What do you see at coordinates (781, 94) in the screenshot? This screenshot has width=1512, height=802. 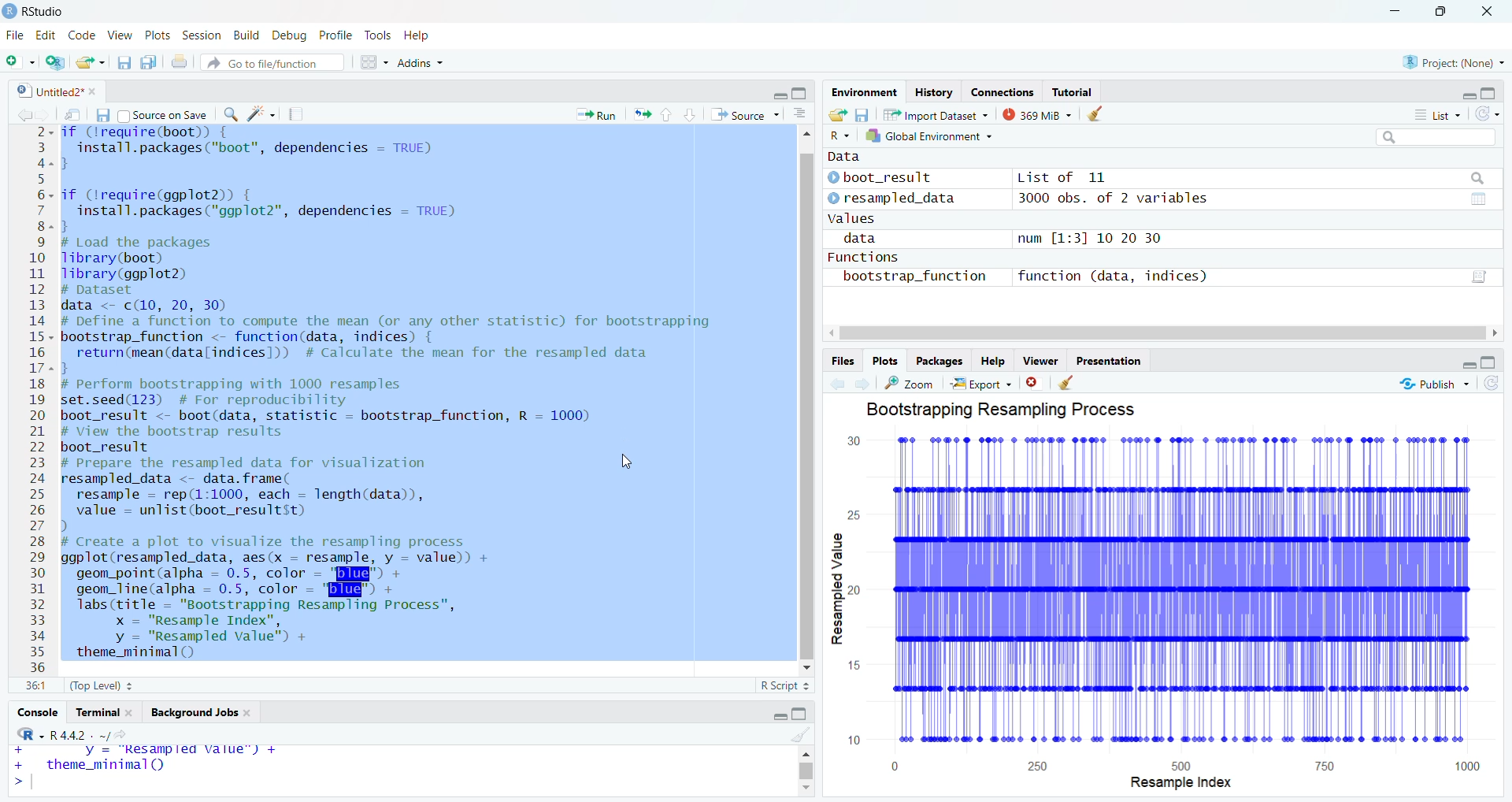 I see `hide r script` at bounding box center [781, 94].